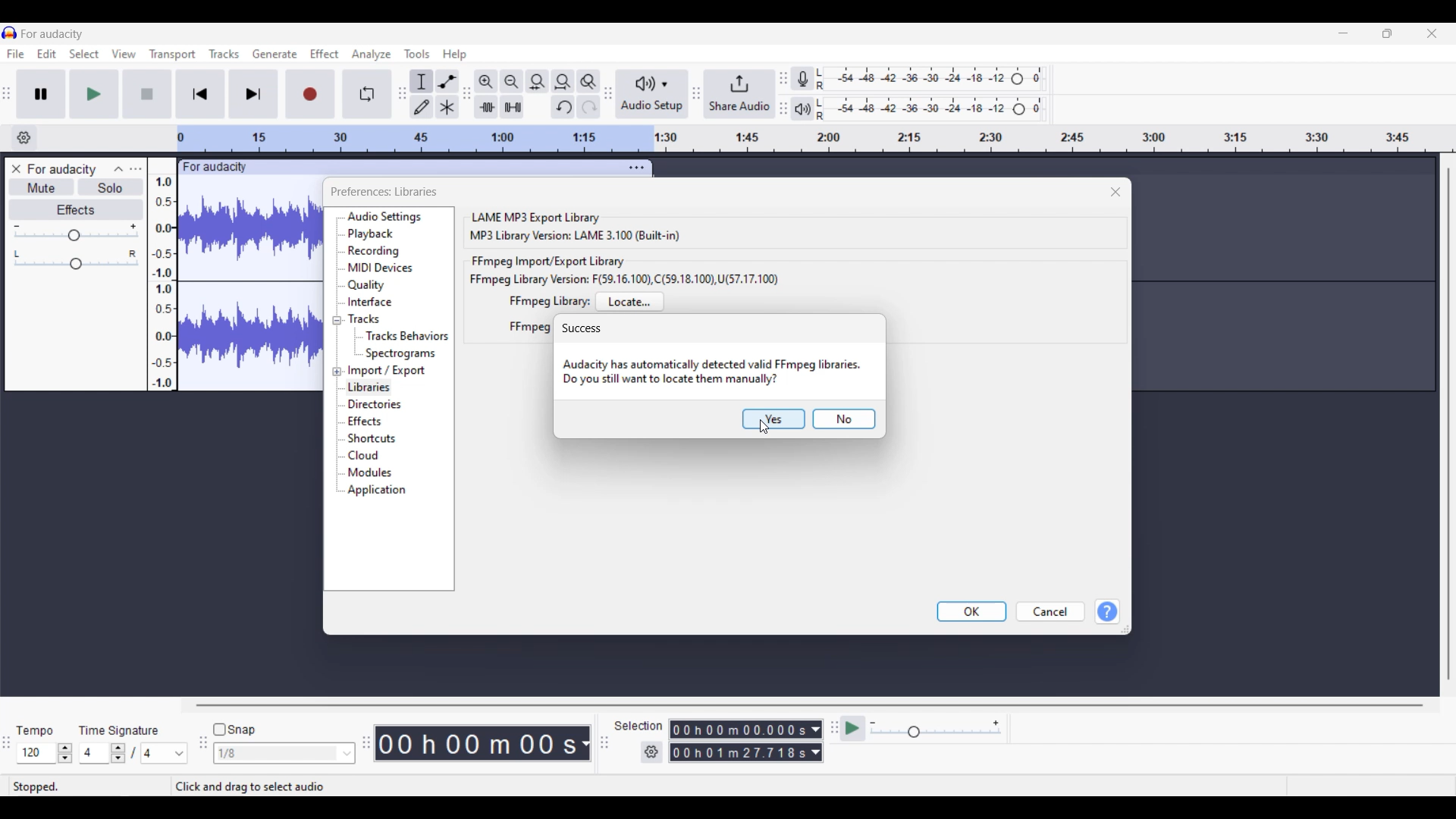 This screenshot has height=819, width=1456. I want to click on Silence audio selection, so click(512, 107).